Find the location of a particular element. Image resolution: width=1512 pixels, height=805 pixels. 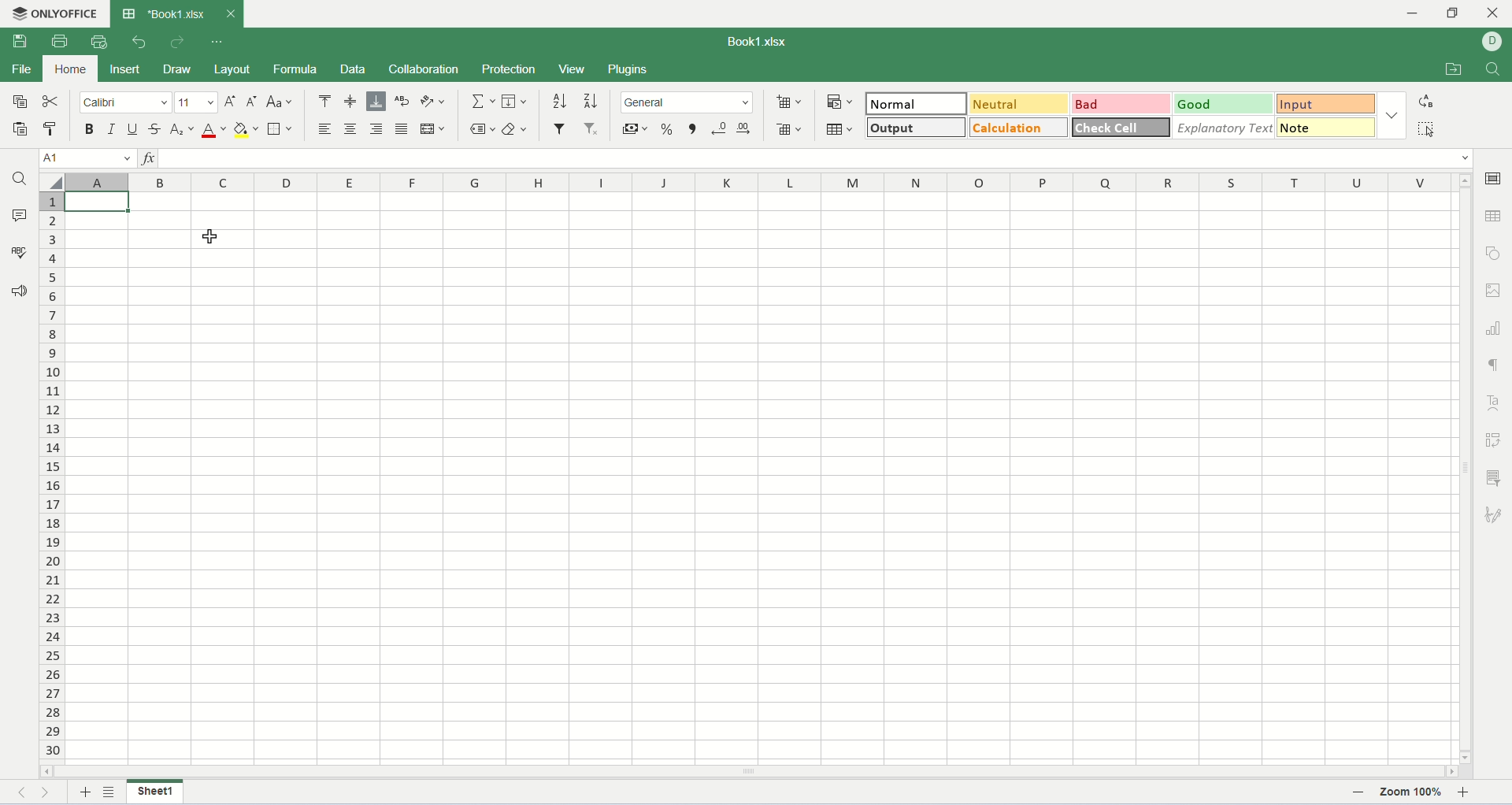

zoom out is located at coordinates (1358, 792).